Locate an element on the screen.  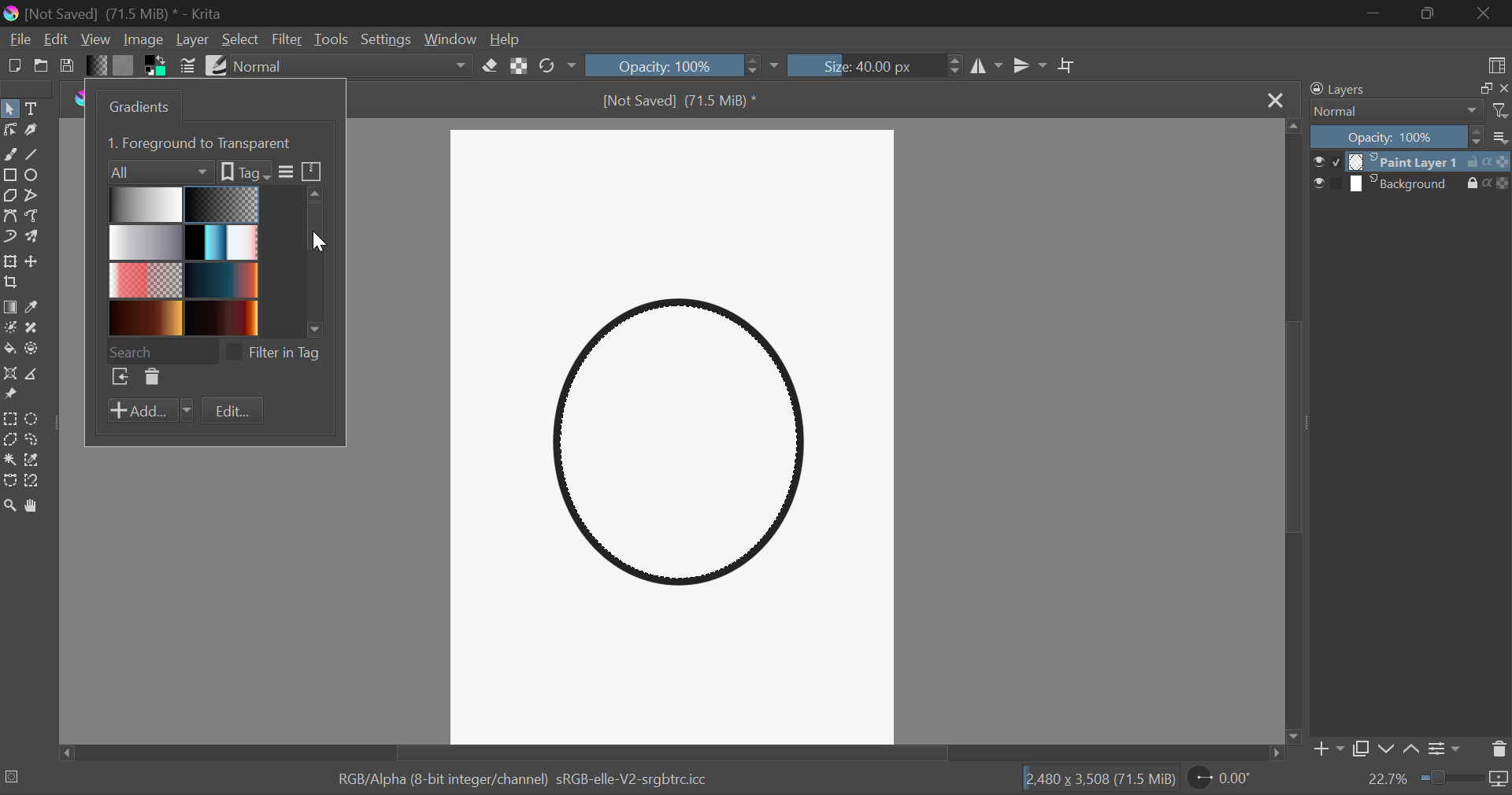
Edit Shapes is located at coordinates (9, 131).